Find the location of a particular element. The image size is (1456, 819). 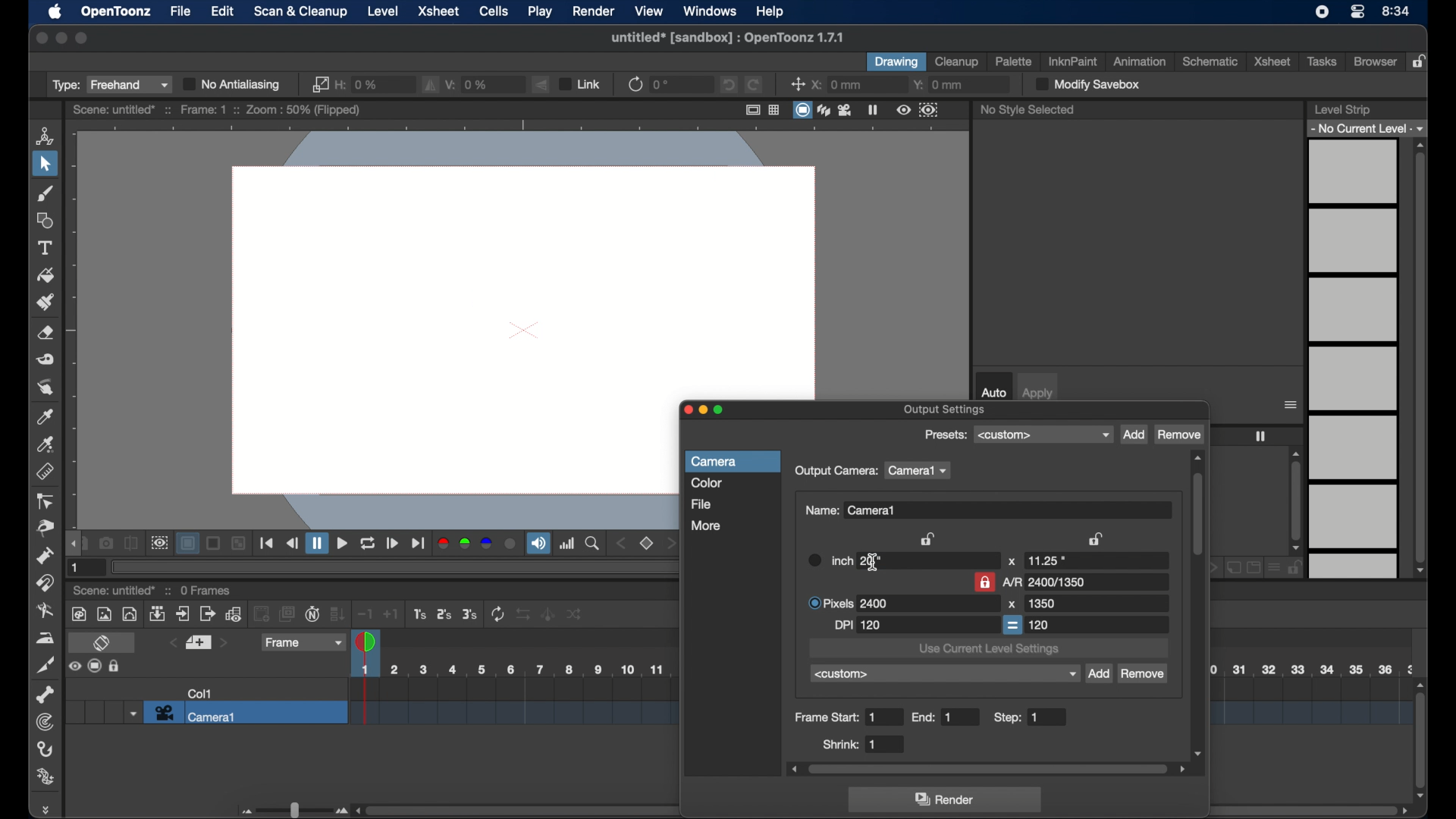

 is located at coordinates (1257, 567).